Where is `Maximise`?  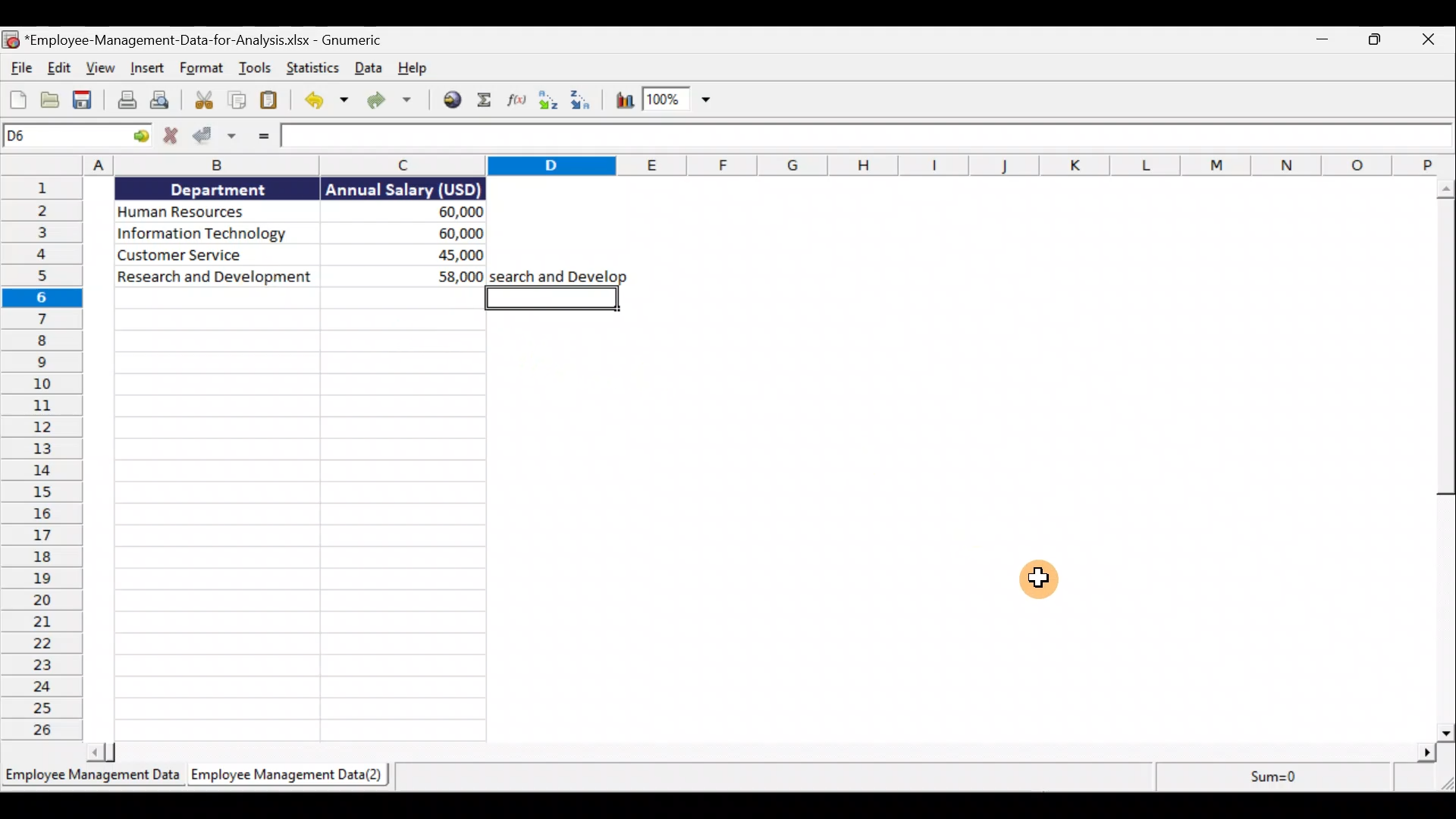 Maximise is located at coordinates (1381, 42).